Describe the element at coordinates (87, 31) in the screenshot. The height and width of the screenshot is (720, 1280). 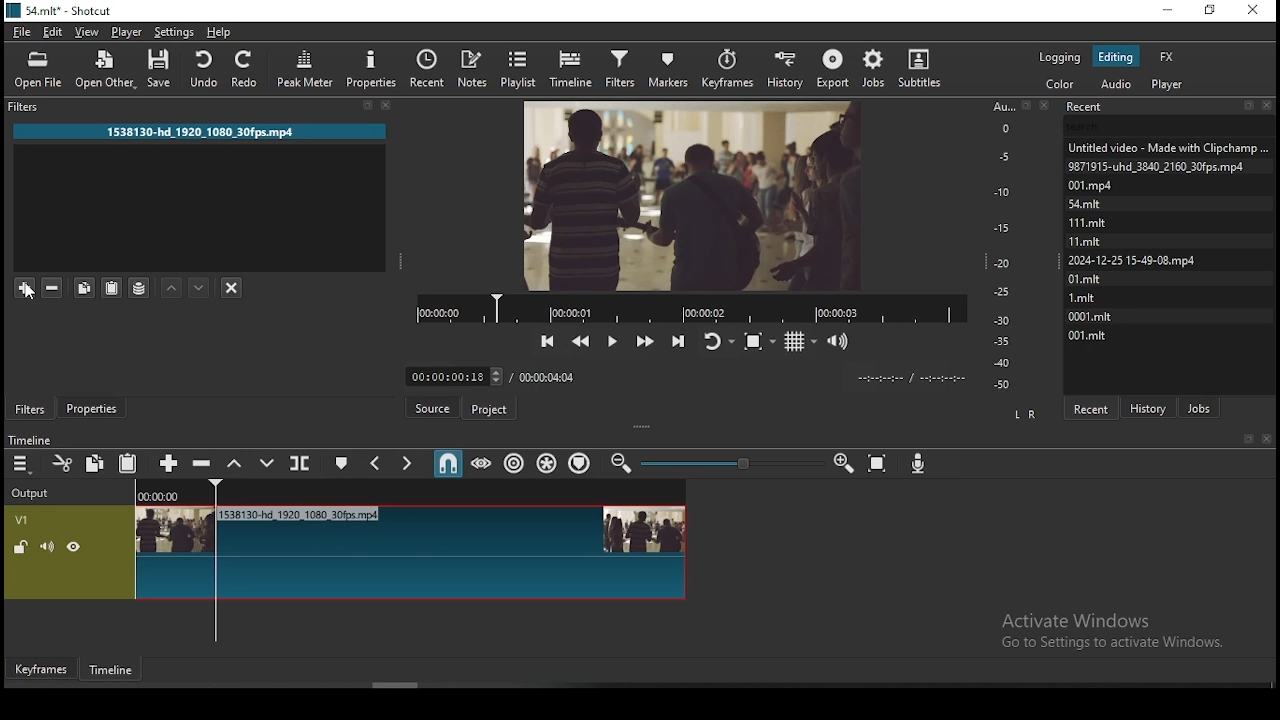
I see `view` at that location.